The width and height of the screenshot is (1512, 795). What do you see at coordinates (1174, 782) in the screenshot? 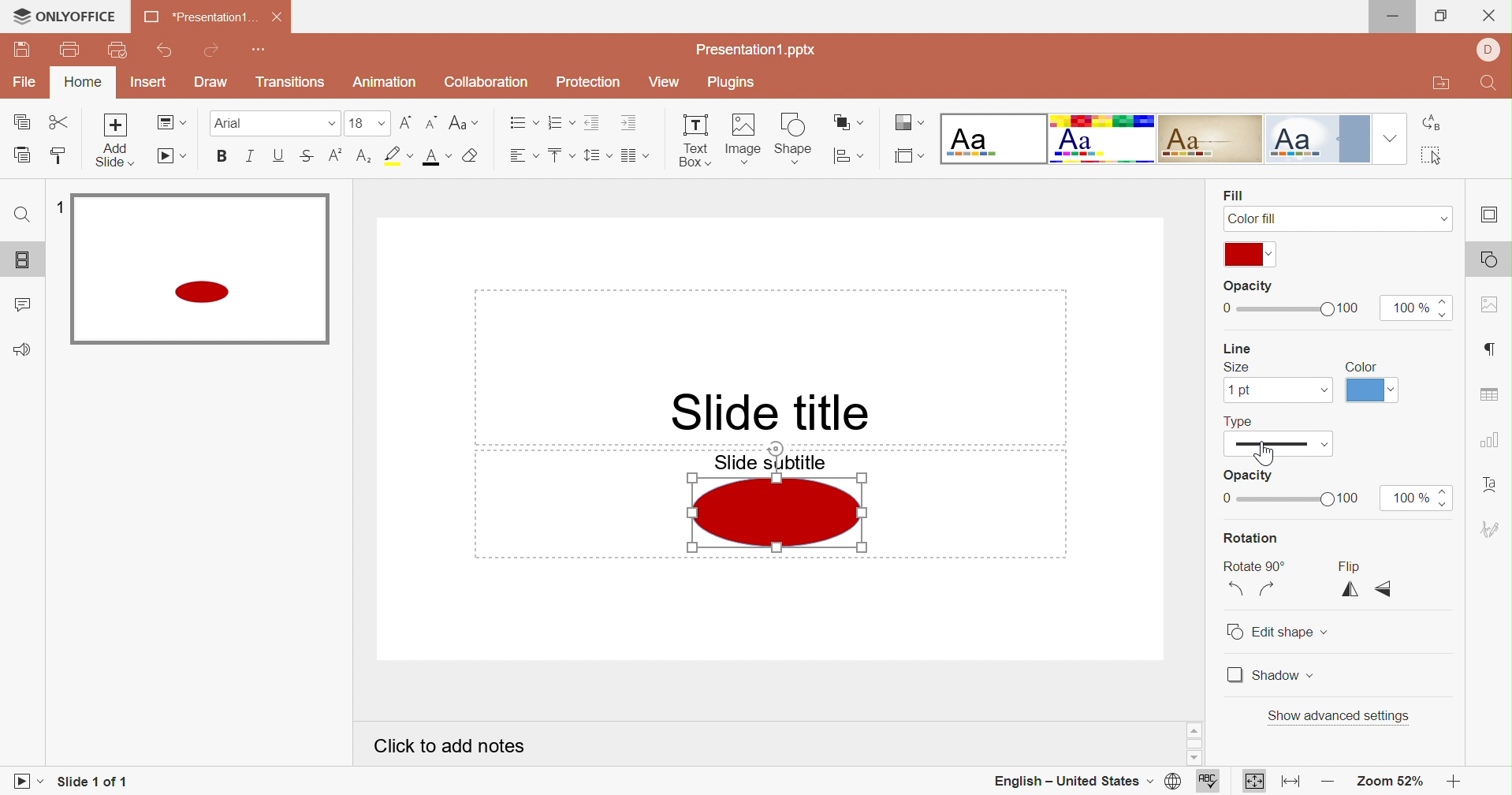
I see `Set document language` at bounding box center [1174, 782].